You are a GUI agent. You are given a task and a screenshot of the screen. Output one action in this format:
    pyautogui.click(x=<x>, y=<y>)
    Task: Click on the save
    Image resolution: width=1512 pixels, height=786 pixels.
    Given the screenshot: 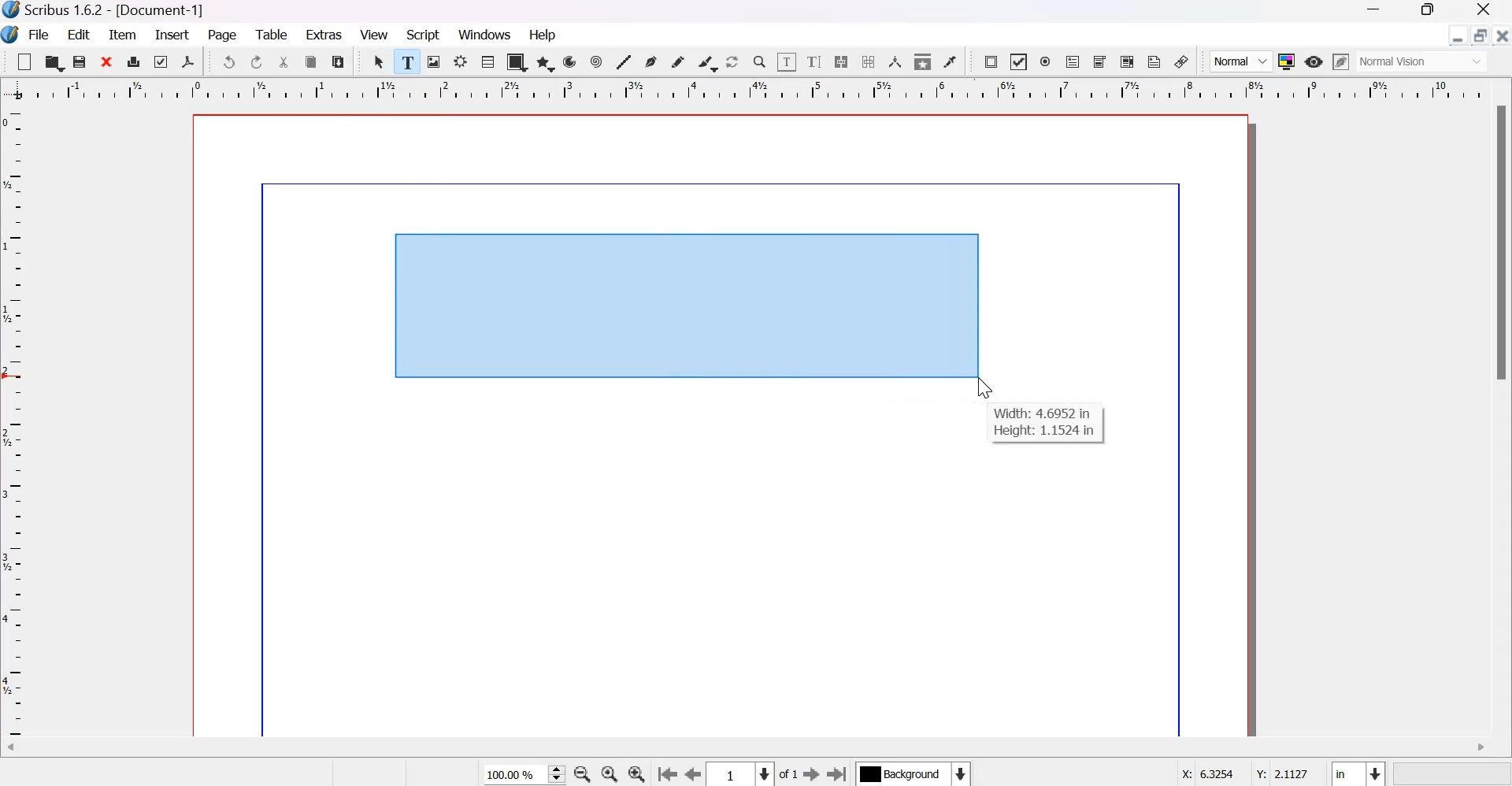 What is the action you would take?
    pyautogui.click(x=80, y=61)
    